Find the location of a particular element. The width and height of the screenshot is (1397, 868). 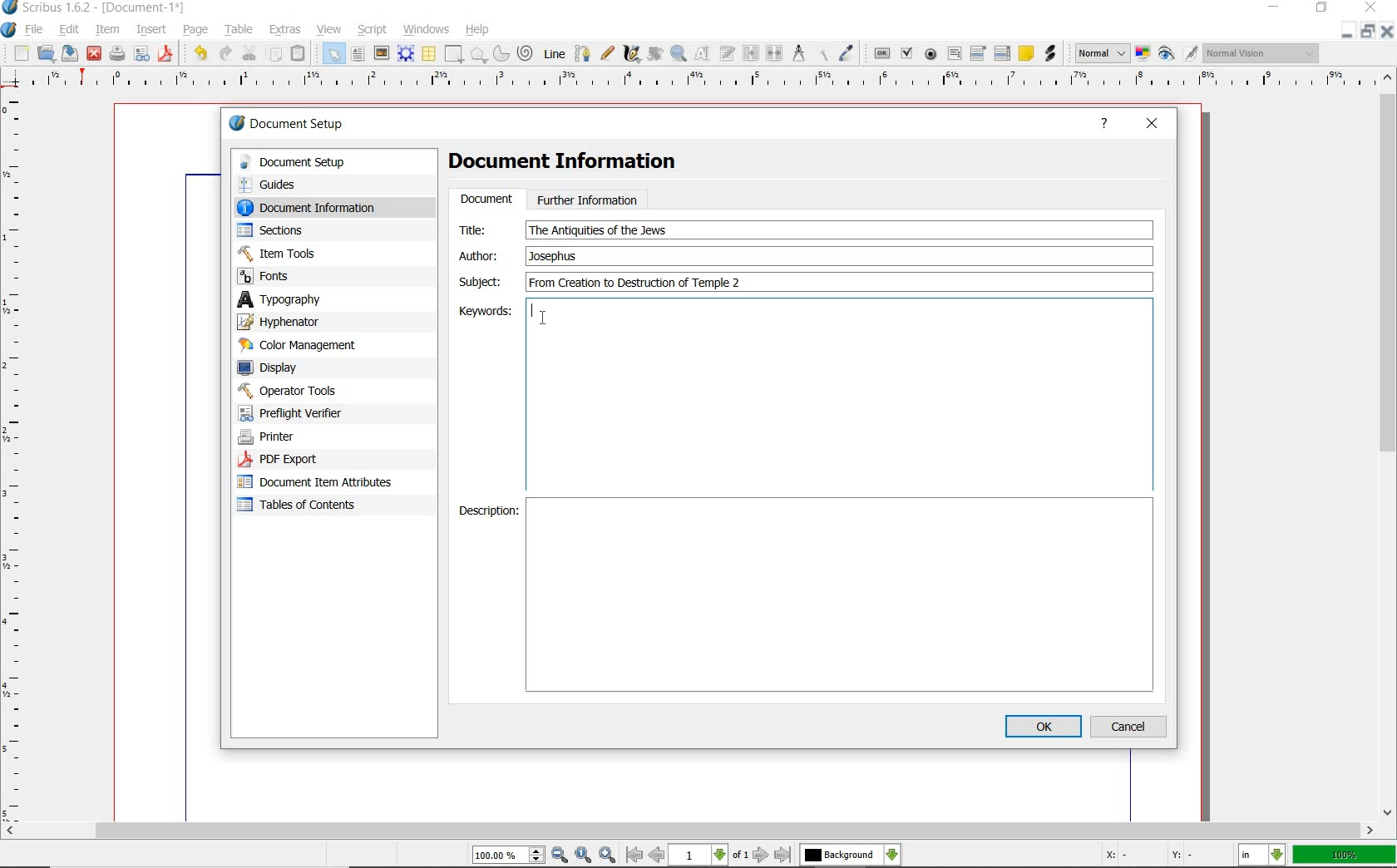

Keywords is located at coordinates (839, 394).